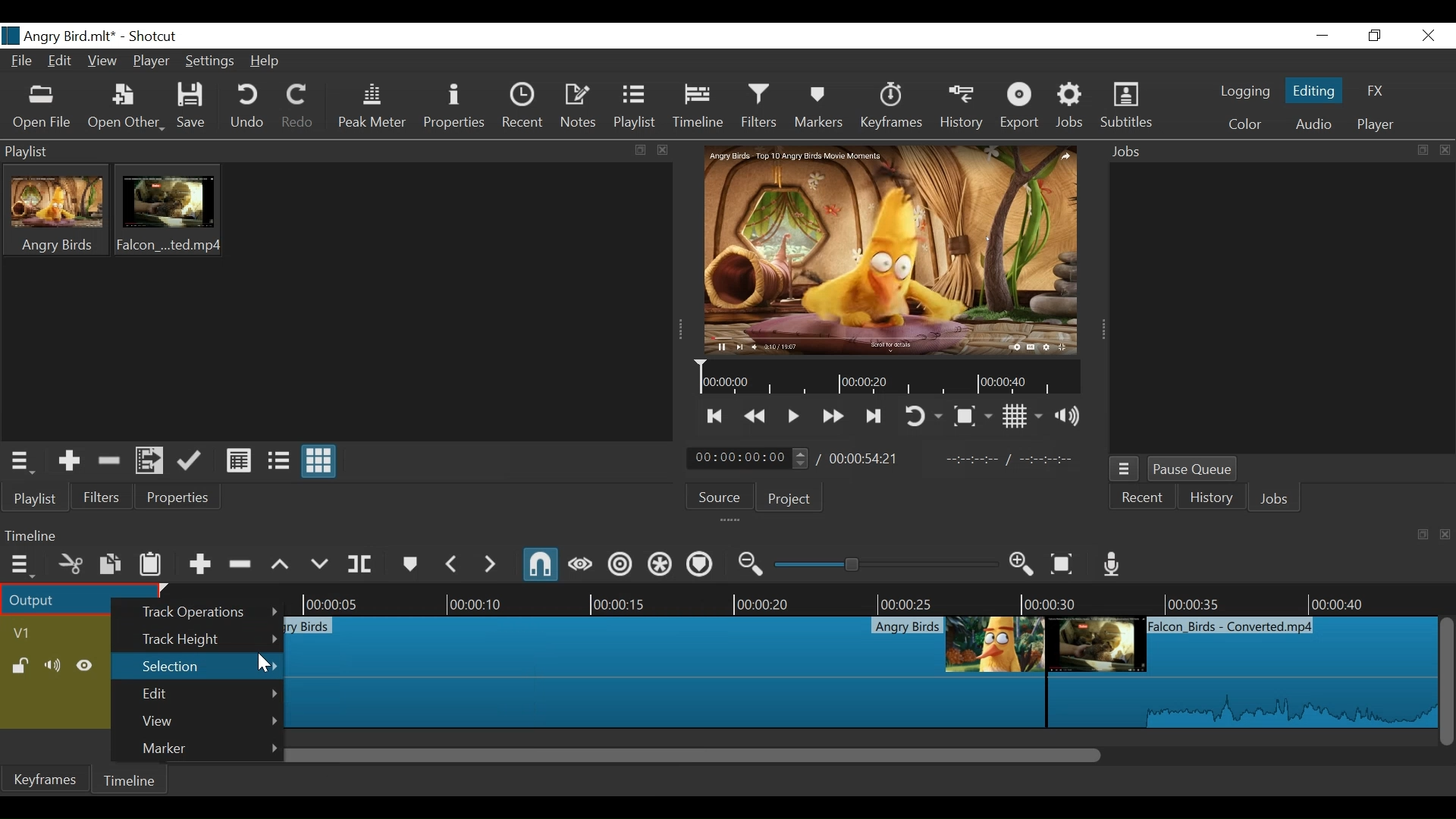  What do you see at coordinates (717, 416) in the screenshot?
I see `Skip to the previous point` at bounding box center [717, 416].